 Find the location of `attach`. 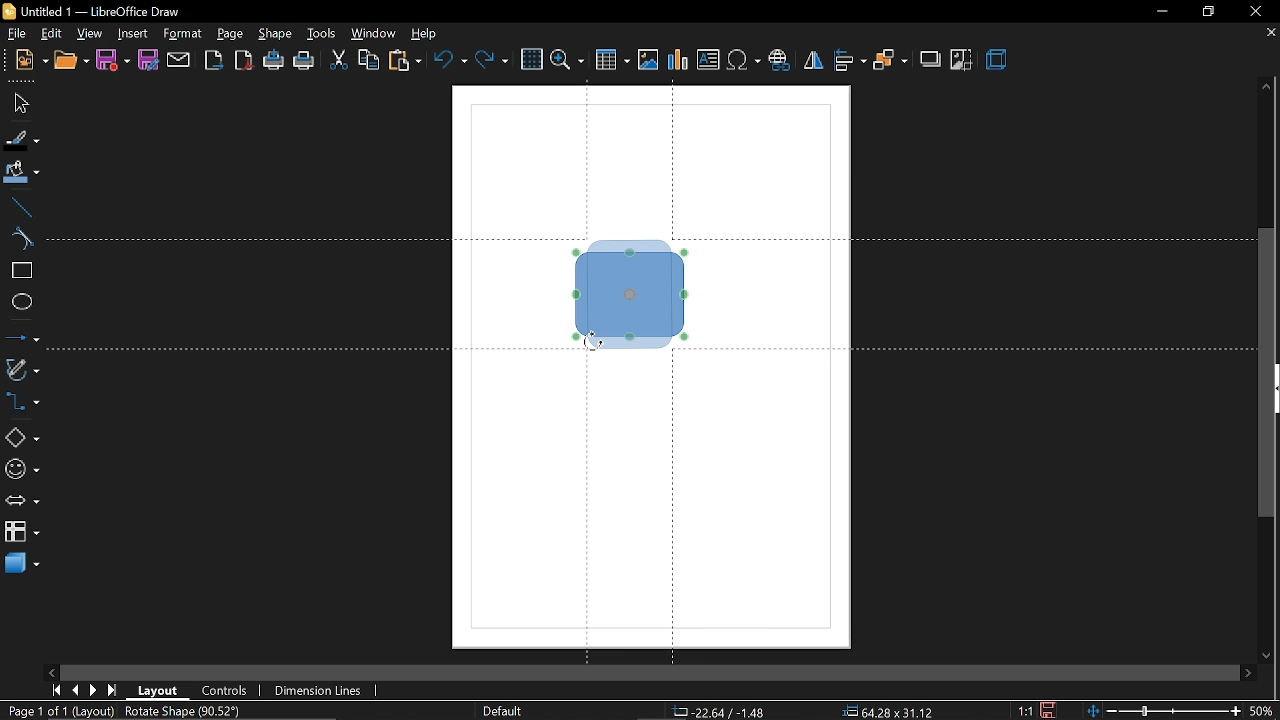

attach is located at coordinates (178, 59).